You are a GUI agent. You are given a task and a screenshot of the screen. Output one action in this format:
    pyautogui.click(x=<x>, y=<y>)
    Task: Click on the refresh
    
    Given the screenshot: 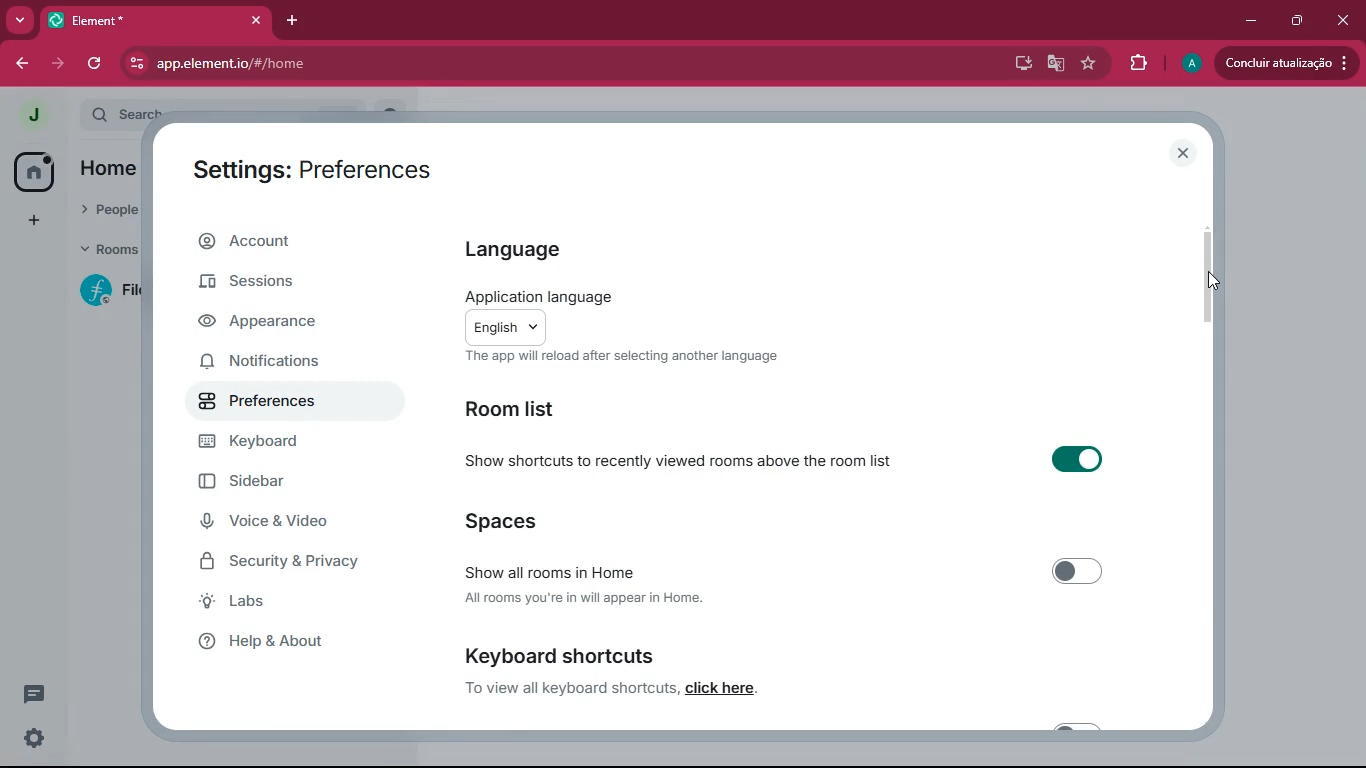 What is the action you would take?
    pyautogui.click(x=94, y=65)
    